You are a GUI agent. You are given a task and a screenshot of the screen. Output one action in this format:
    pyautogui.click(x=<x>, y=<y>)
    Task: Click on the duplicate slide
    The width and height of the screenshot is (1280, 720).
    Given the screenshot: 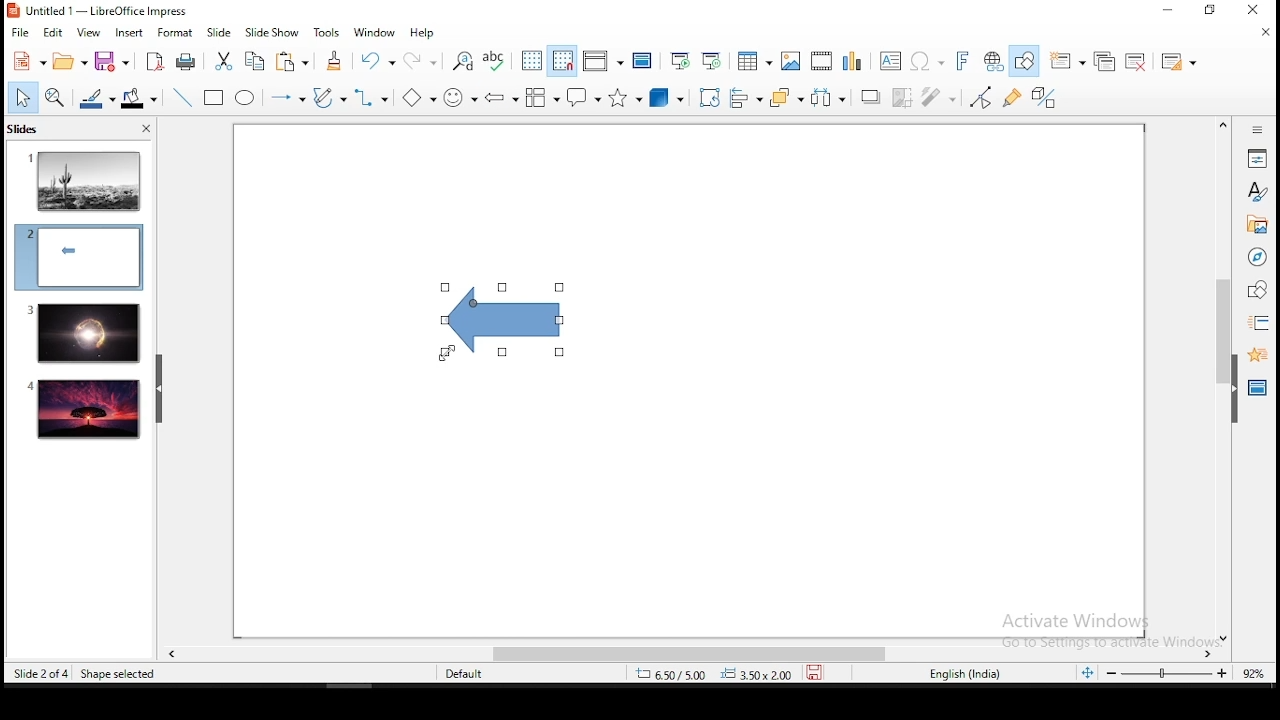 What is the action you would take?
    pyautogui.click(x=1107, y=62)
    